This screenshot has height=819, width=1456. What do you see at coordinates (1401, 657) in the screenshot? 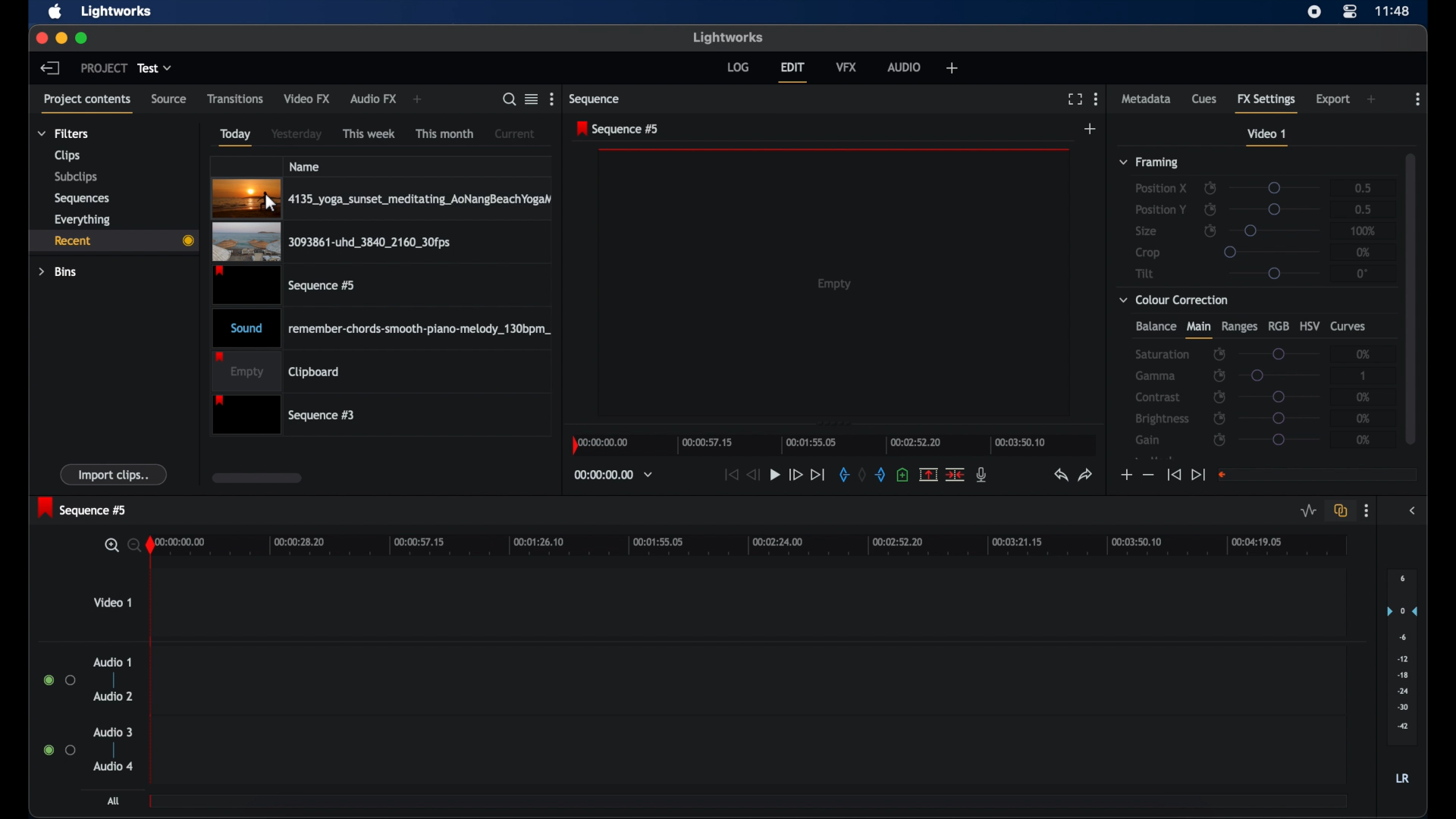
I see `audio output levels` at bounding box center [1401, 657].